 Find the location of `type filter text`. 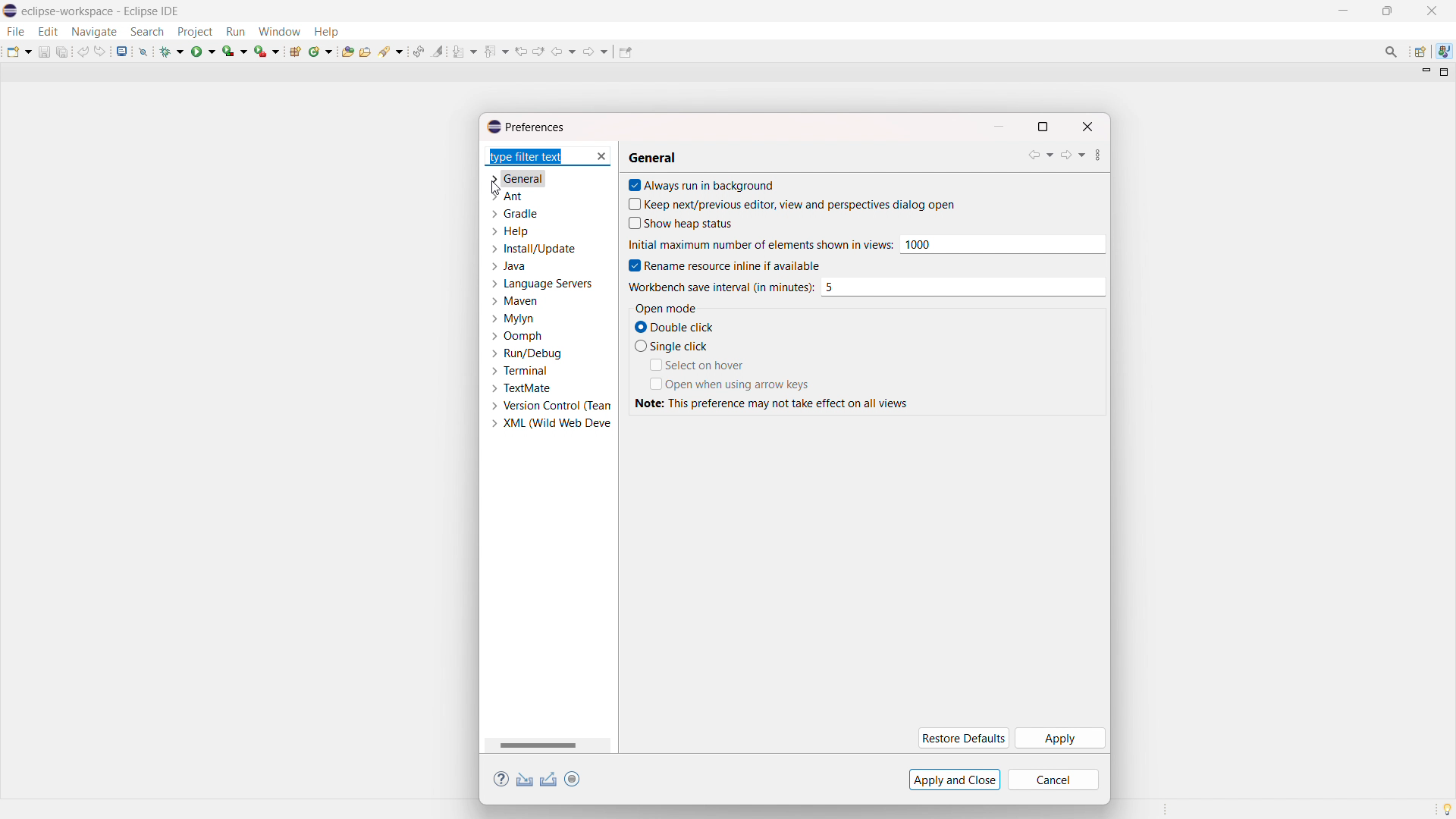

type filter text is located at coordinates (536, 156).